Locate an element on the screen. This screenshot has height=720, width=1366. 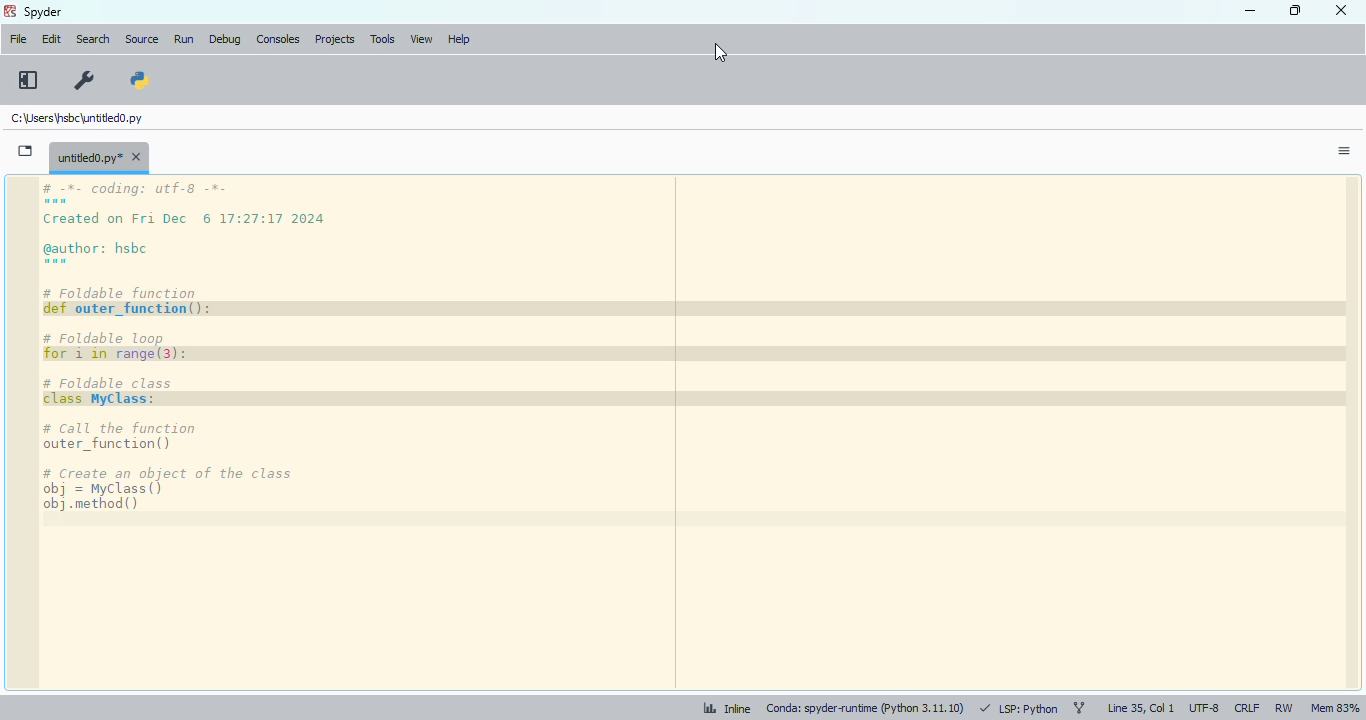
options is located at coordinates (1345, 151).